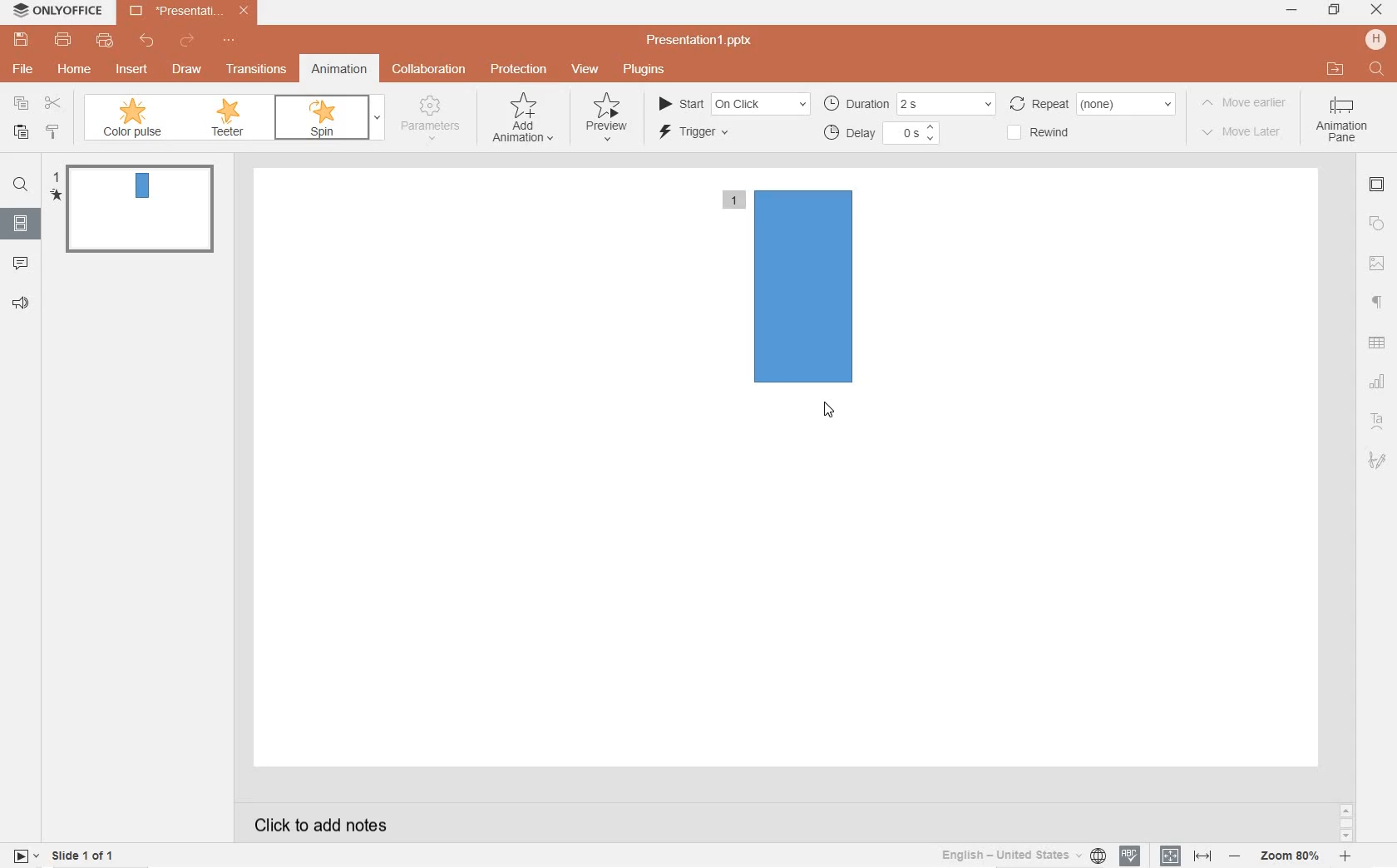 The image size is (1397, 868). What do you see at coordinates (20, 187) in the screenshot?
I see `find` at bounding box center [20, 187].